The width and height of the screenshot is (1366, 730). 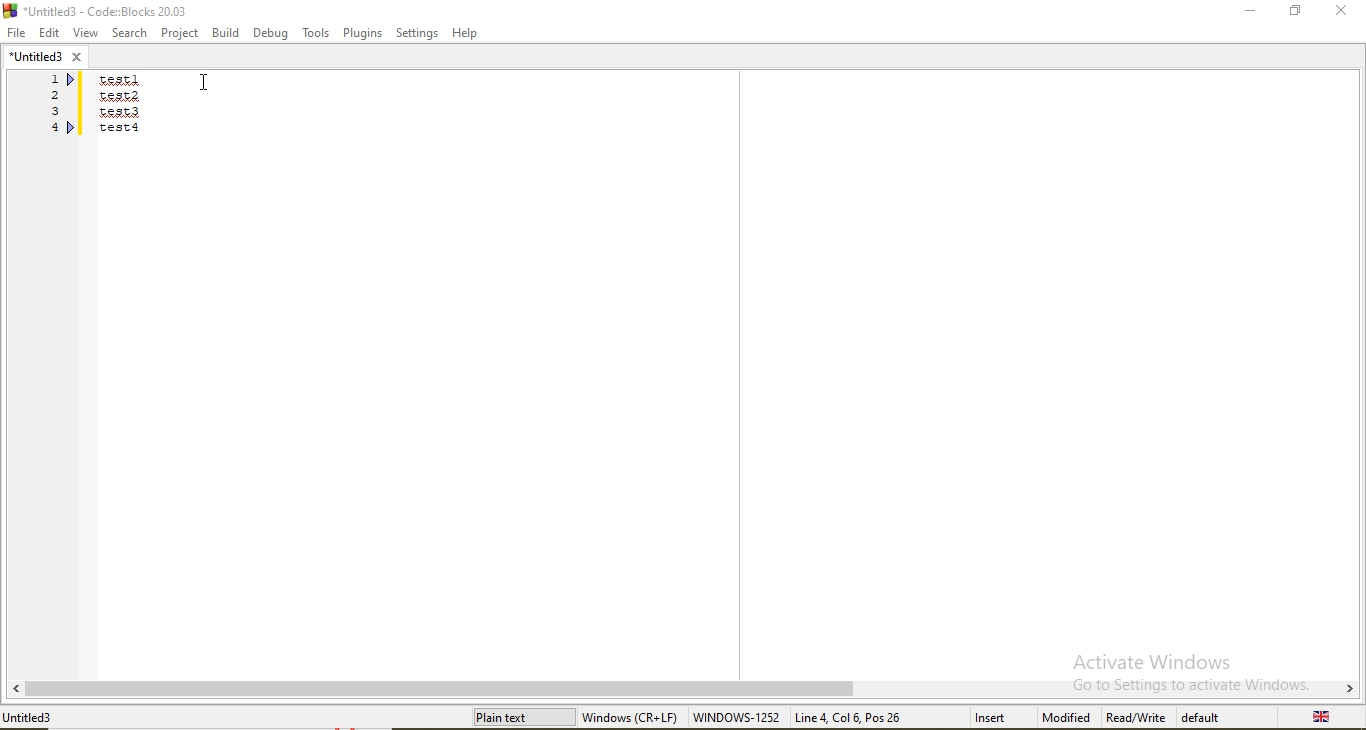 I want to click on indicator beside e, so click(x=73, y=127).